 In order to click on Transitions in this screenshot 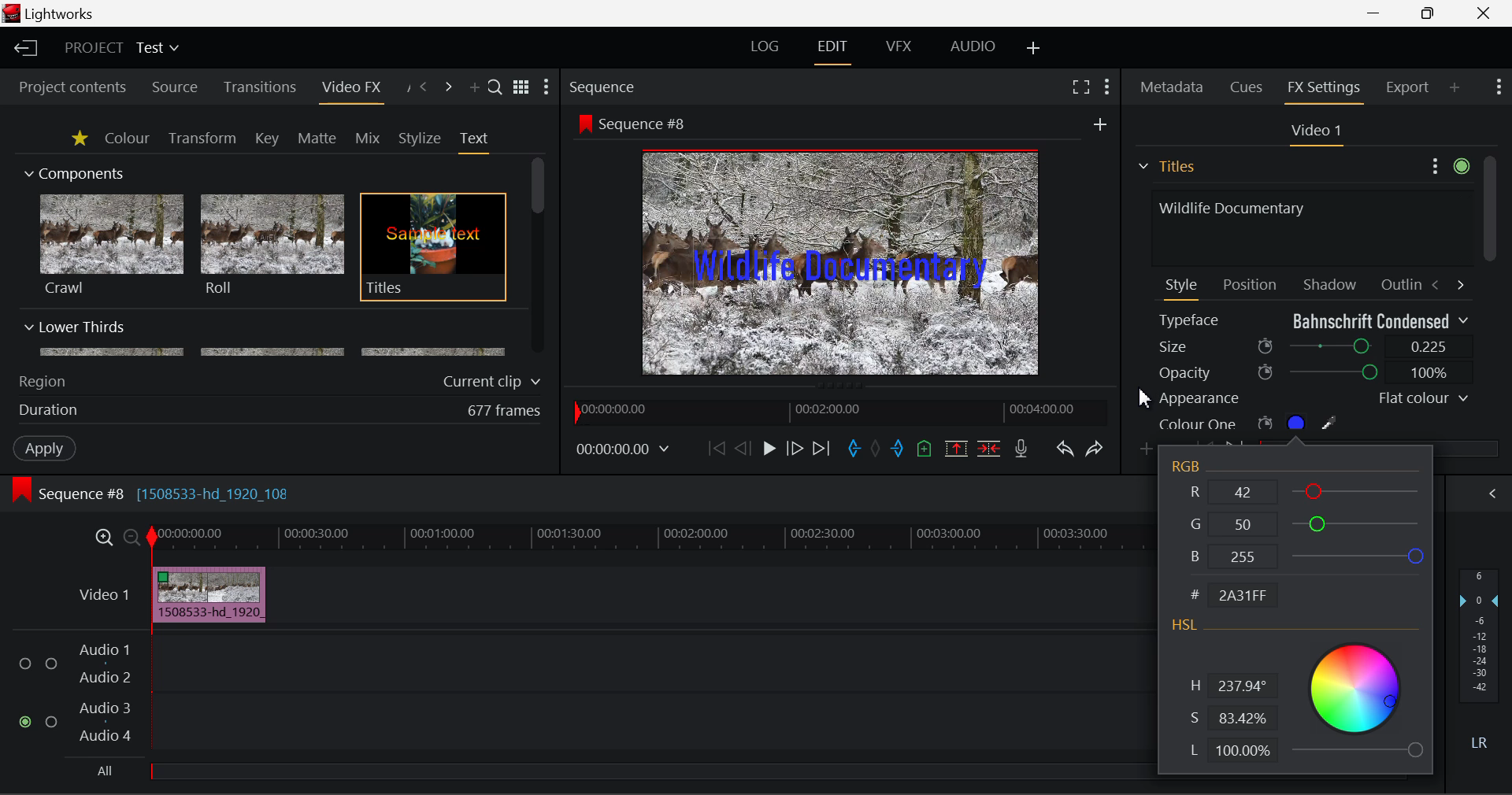, I will do `click(260, 87)`.